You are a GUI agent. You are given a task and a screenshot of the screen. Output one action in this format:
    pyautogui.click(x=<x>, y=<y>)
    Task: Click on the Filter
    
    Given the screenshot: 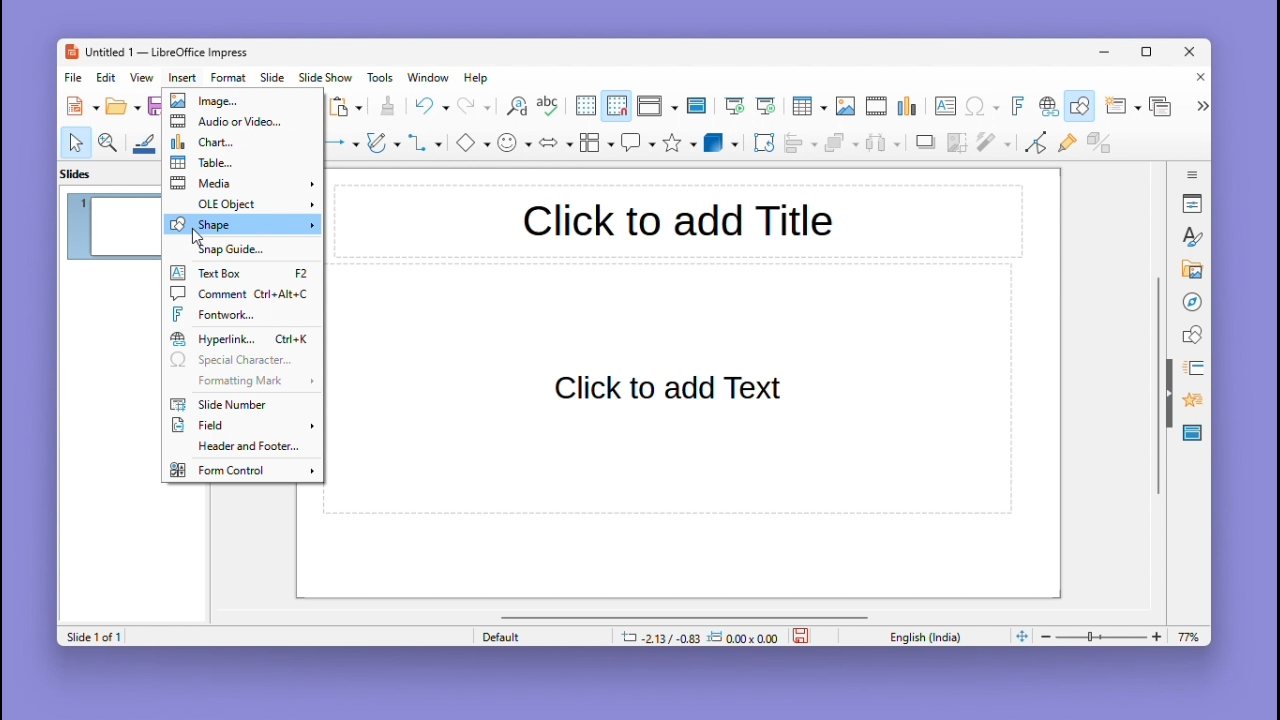 What is the action you would take?
    pyautogui.click(x=992, y=148)
    